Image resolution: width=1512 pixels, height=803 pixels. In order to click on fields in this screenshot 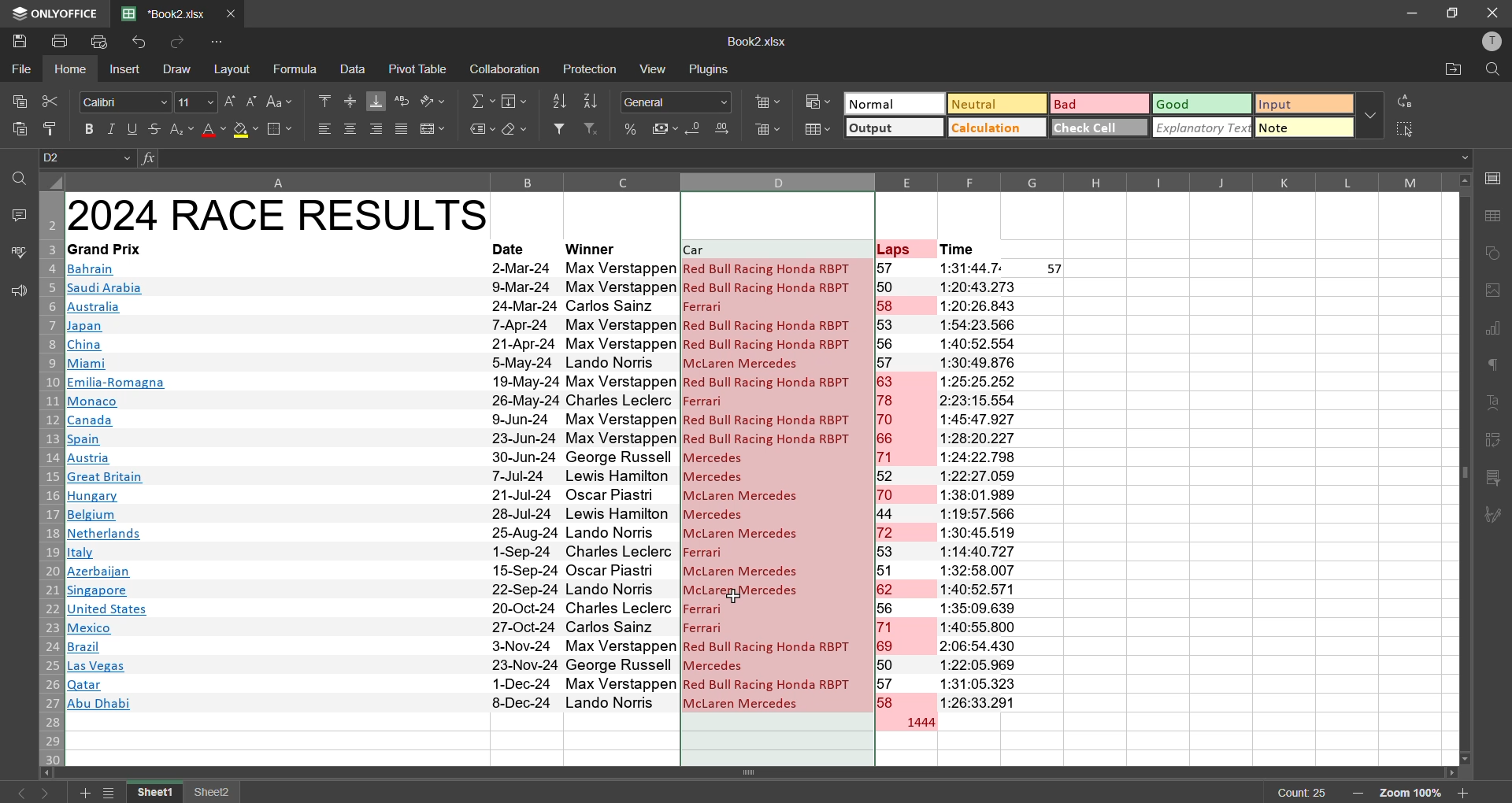, I will do `click(517, 101)`.